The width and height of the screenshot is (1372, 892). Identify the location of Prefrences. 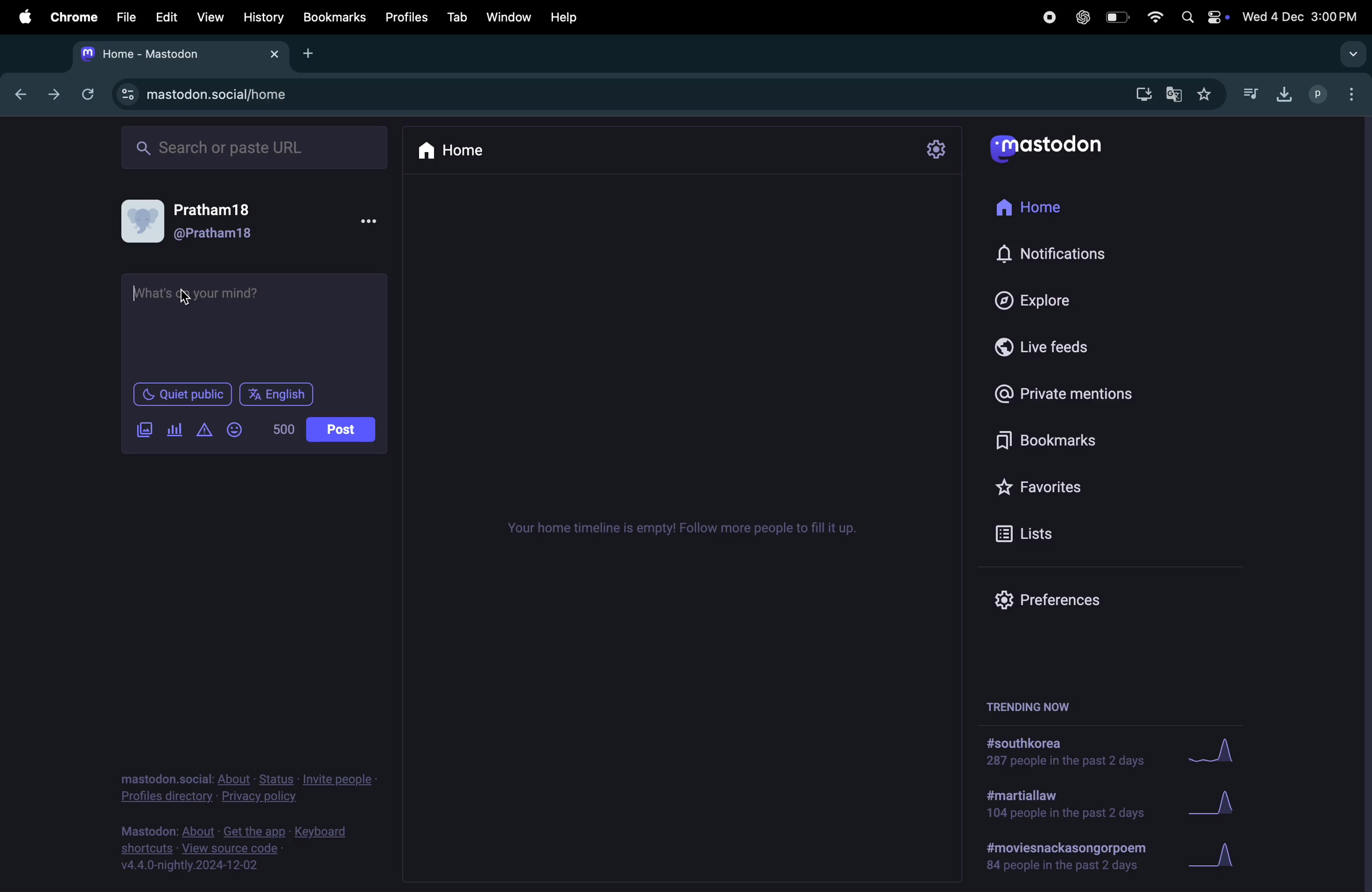
(1060, 601).